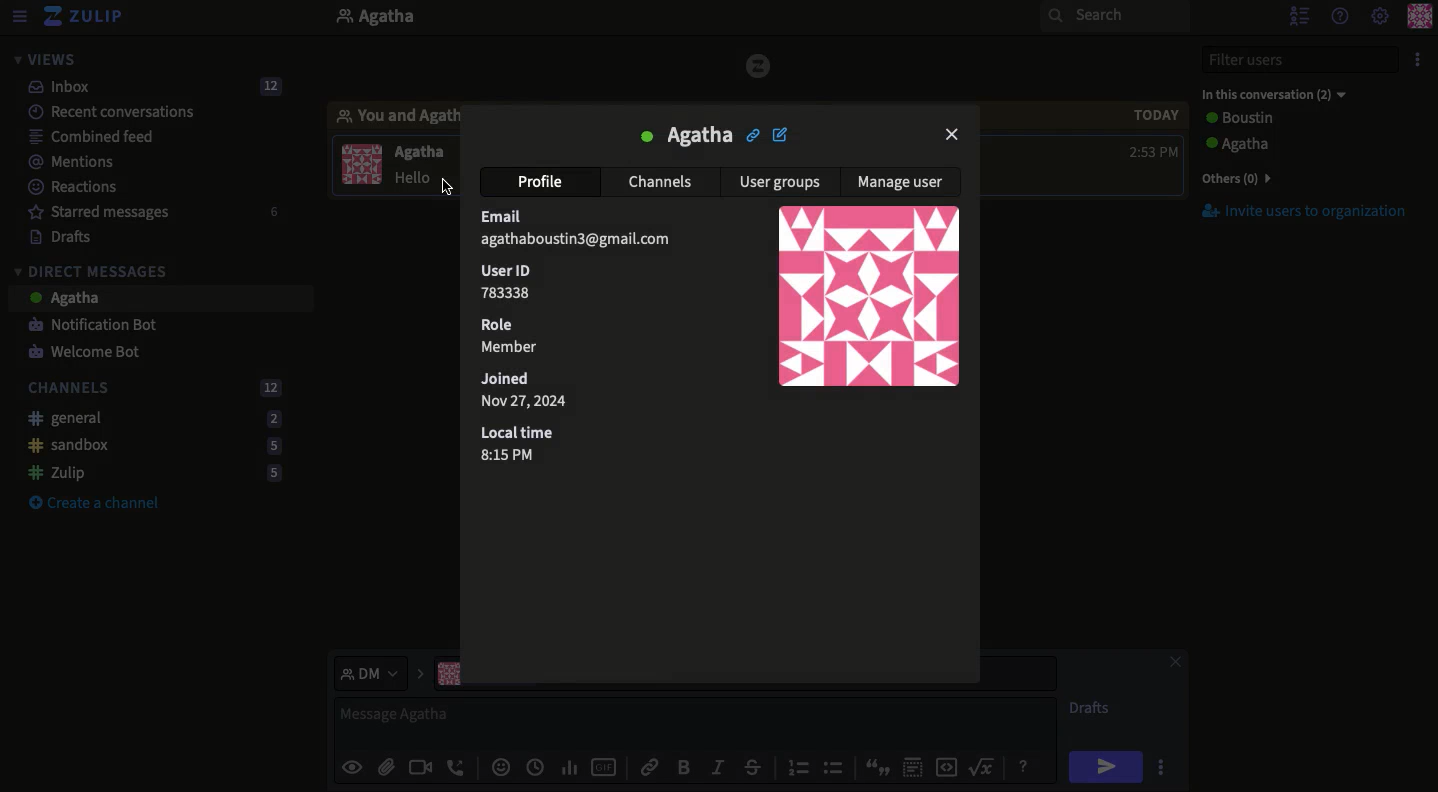  I want to click on User, so click(420, 152).